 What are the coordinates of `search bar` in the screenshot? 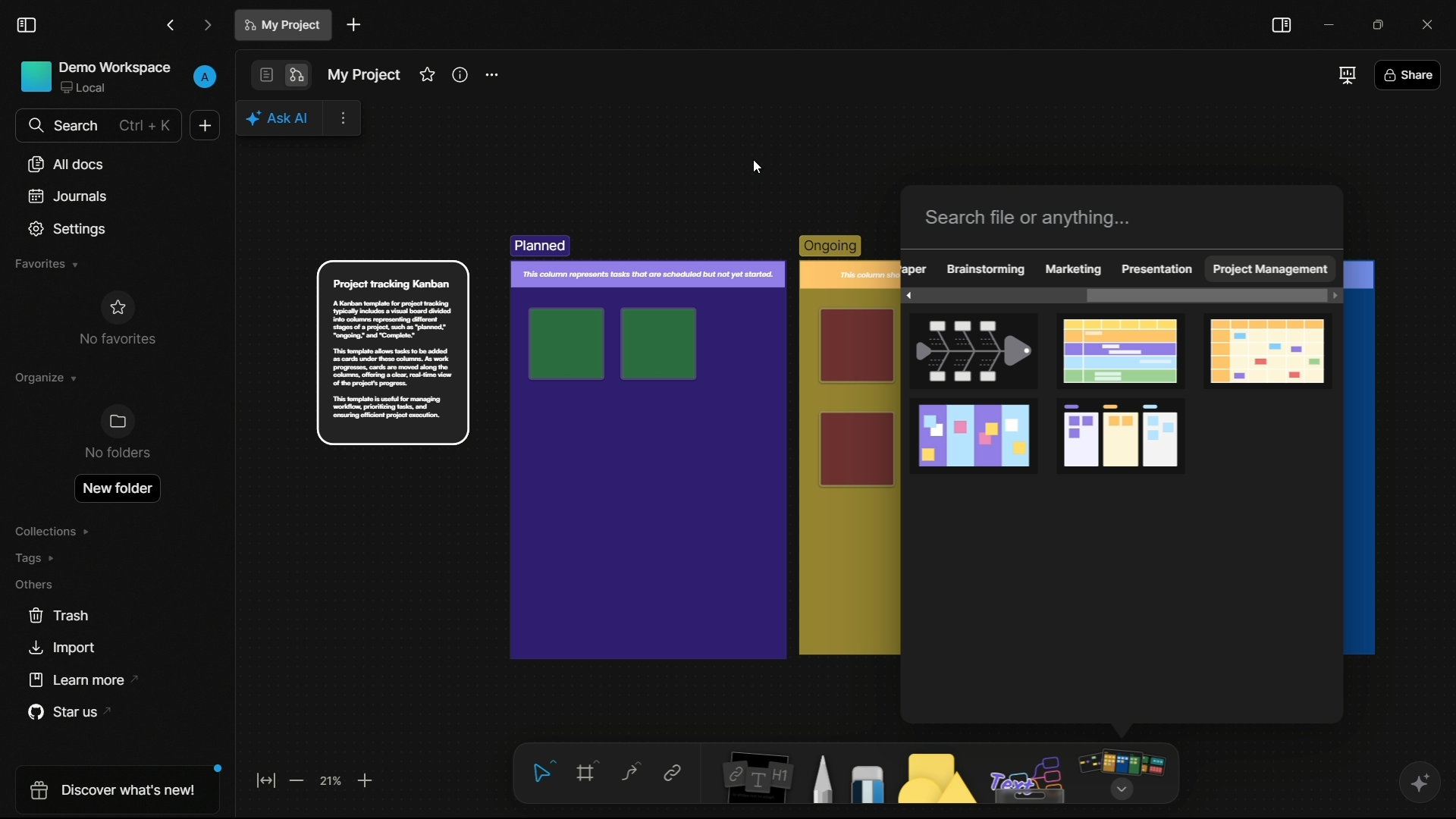 It's located at (97, 125).